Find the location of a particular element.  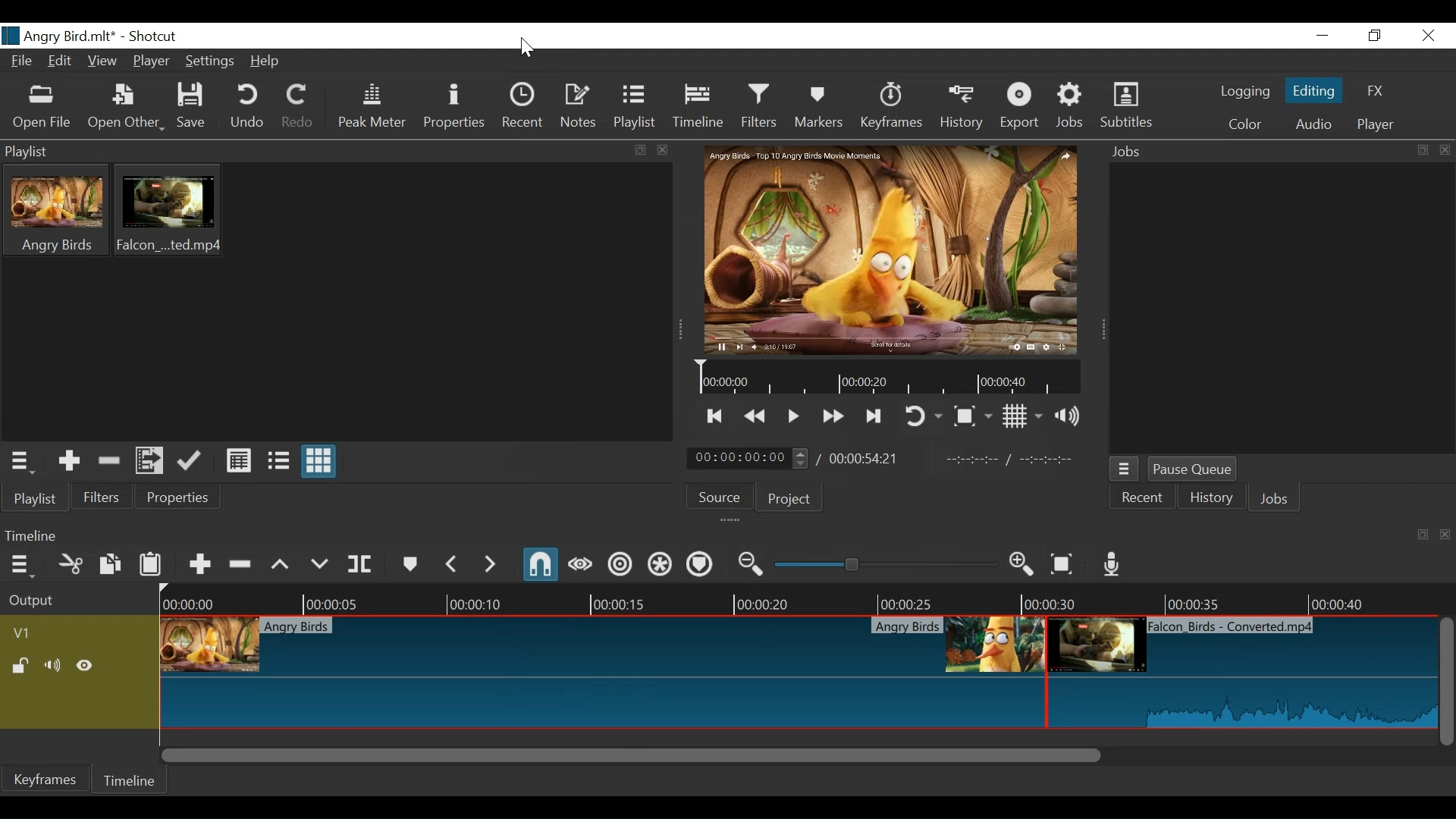

Ripple Markers is located at coordinates (698, 565).